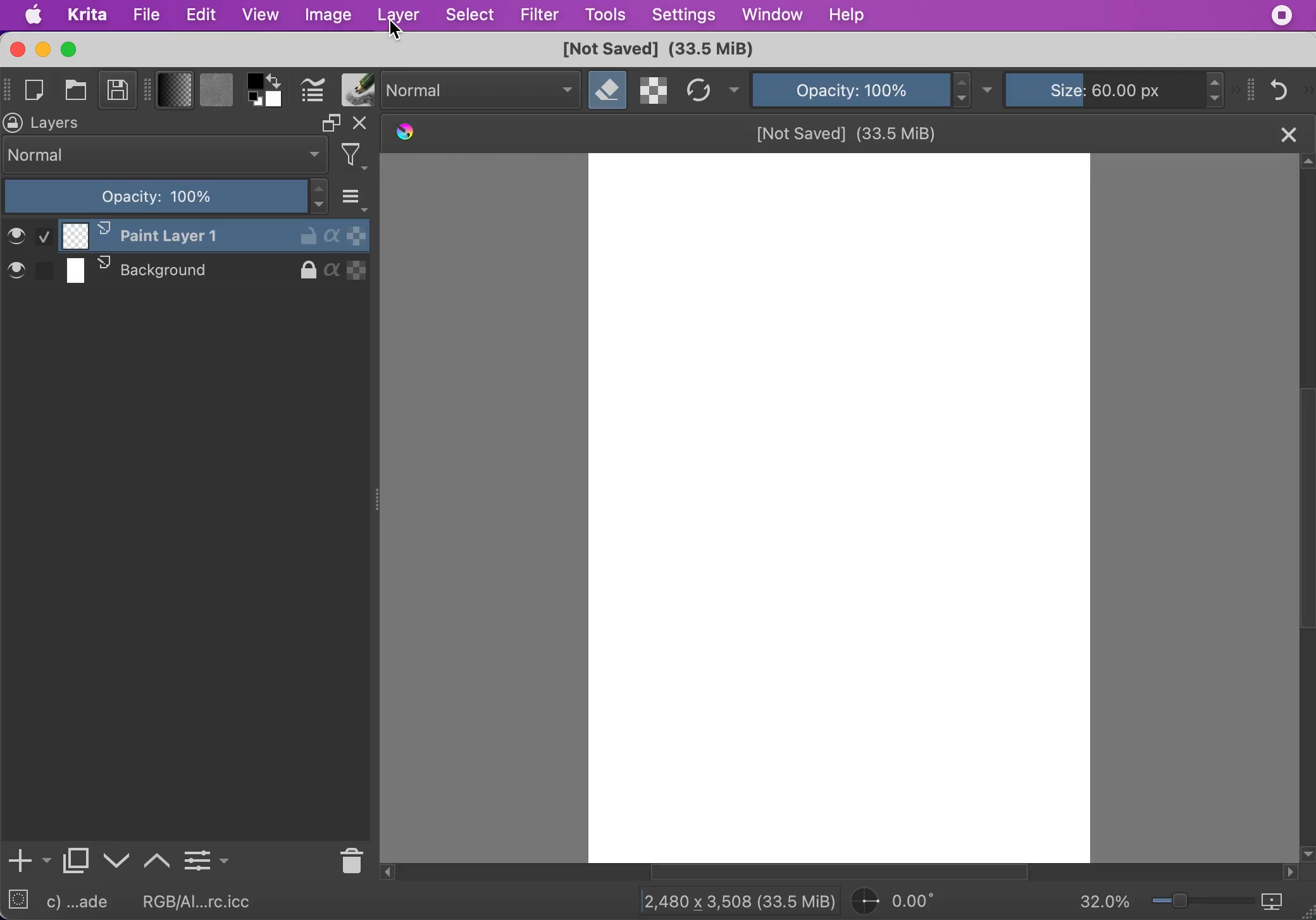 The image size is (1316, 920). I want to click on window, so click(771, 16).